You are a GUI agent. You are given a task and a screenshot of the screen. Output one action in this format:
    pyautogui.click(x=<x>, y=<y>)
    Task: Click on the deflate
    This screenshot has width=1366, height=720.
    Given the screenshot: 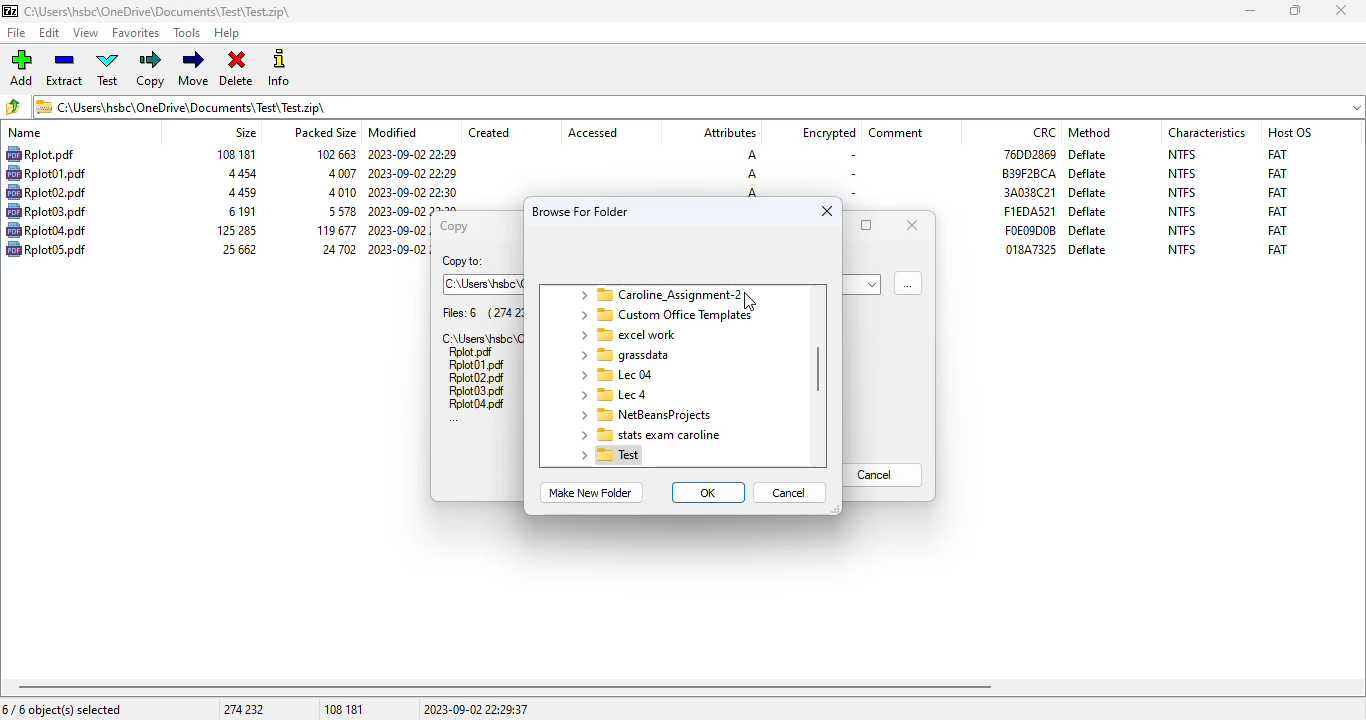 What is the action you would take?
    pyautogui.click(x=1089, y=230)
    